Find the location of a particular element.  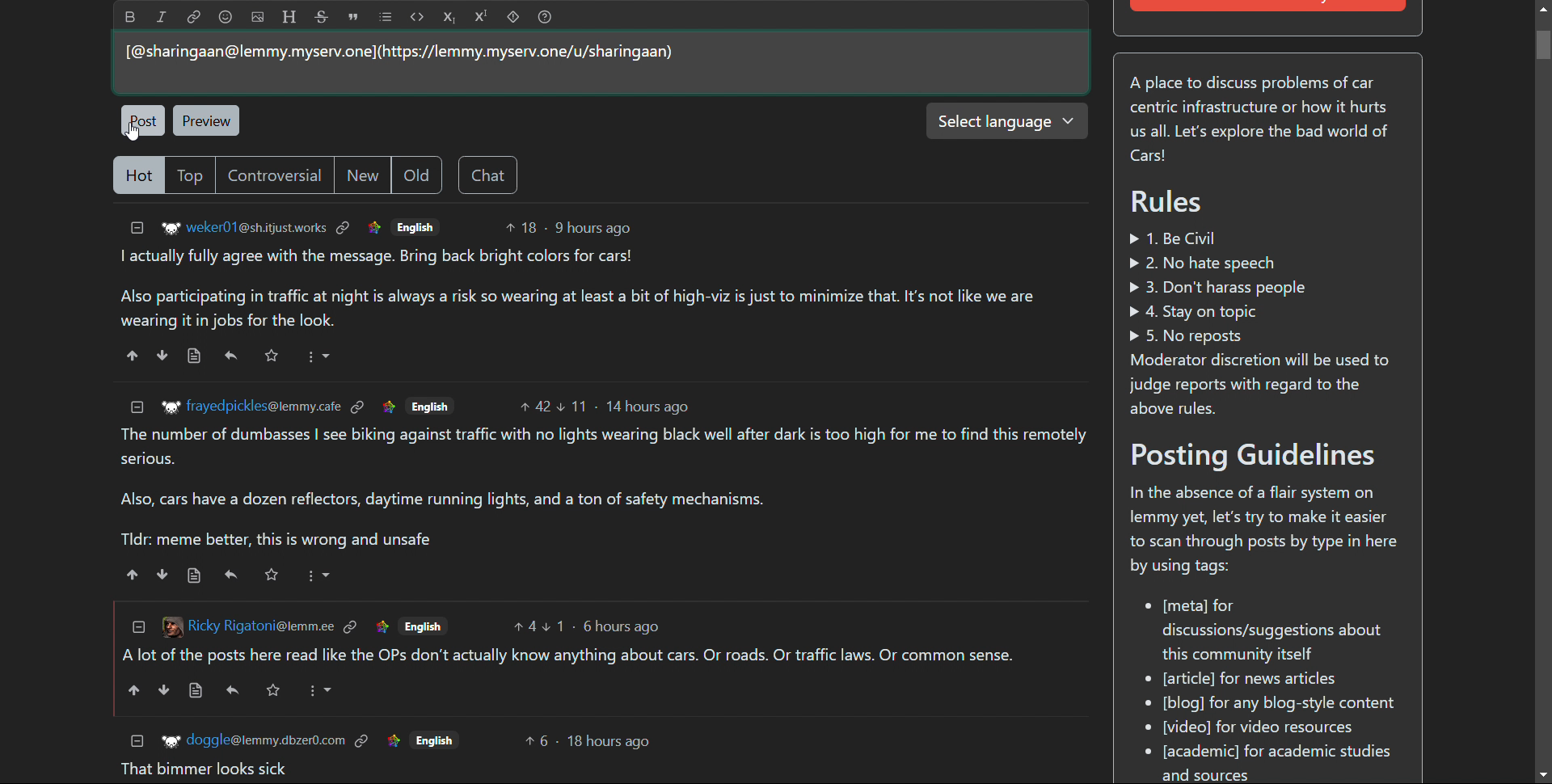

collapse is located at coordinates (137, 407).